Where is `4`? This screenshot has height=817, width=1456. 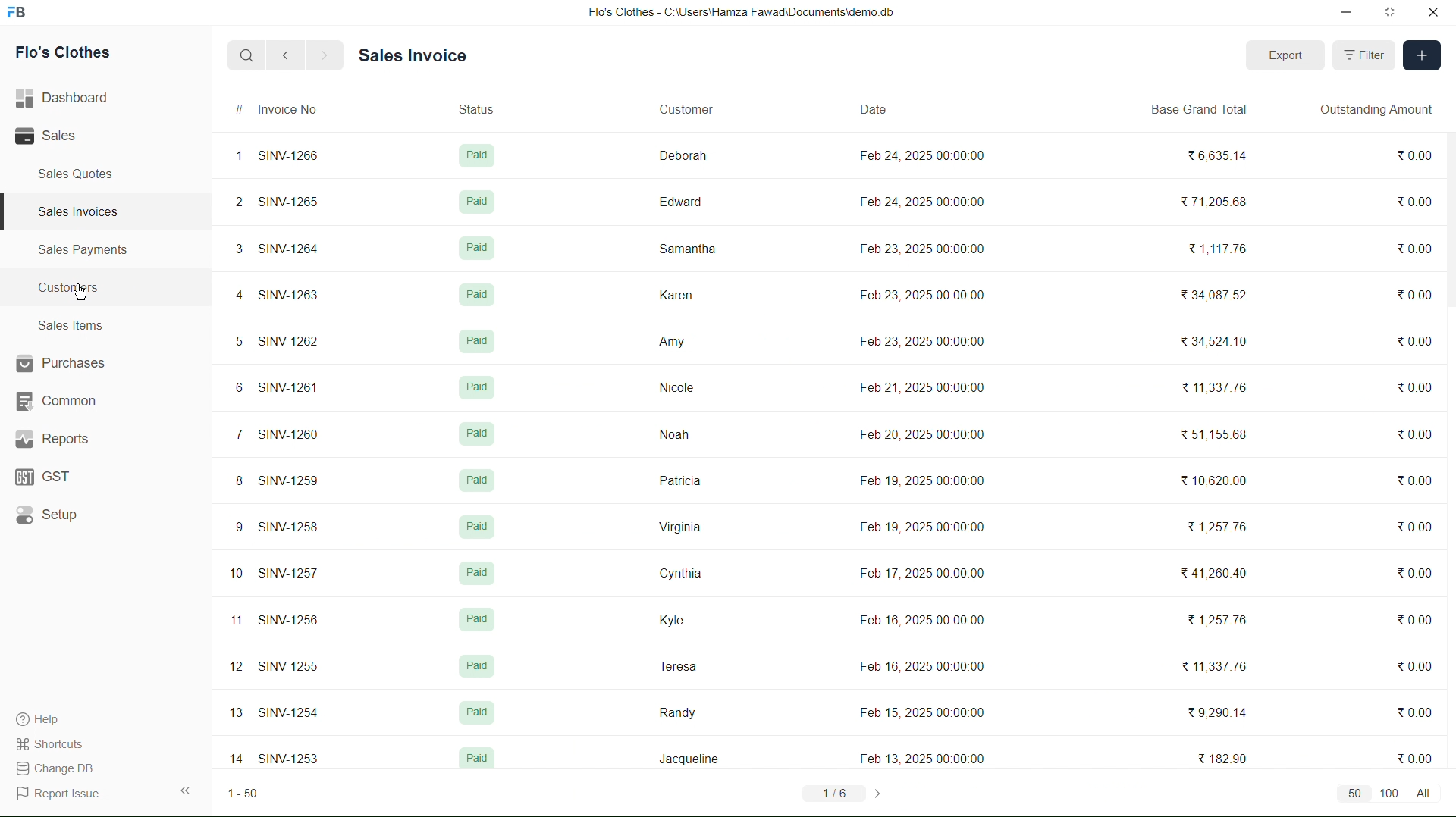
4 is located at coordinates (231, 292).